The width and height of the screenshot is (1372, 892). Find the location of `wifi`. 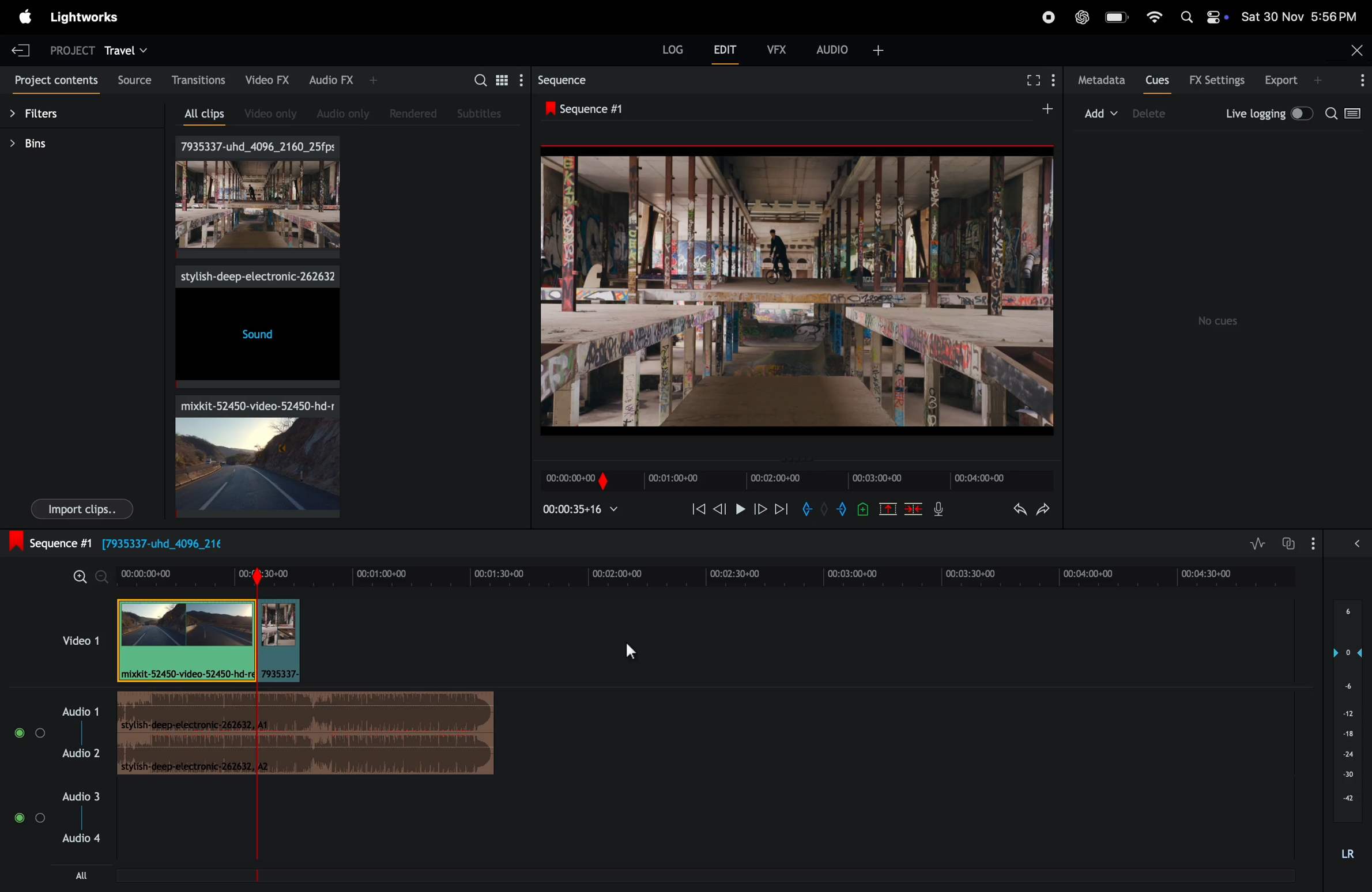

wifi is located at coordinates (1152, 16).